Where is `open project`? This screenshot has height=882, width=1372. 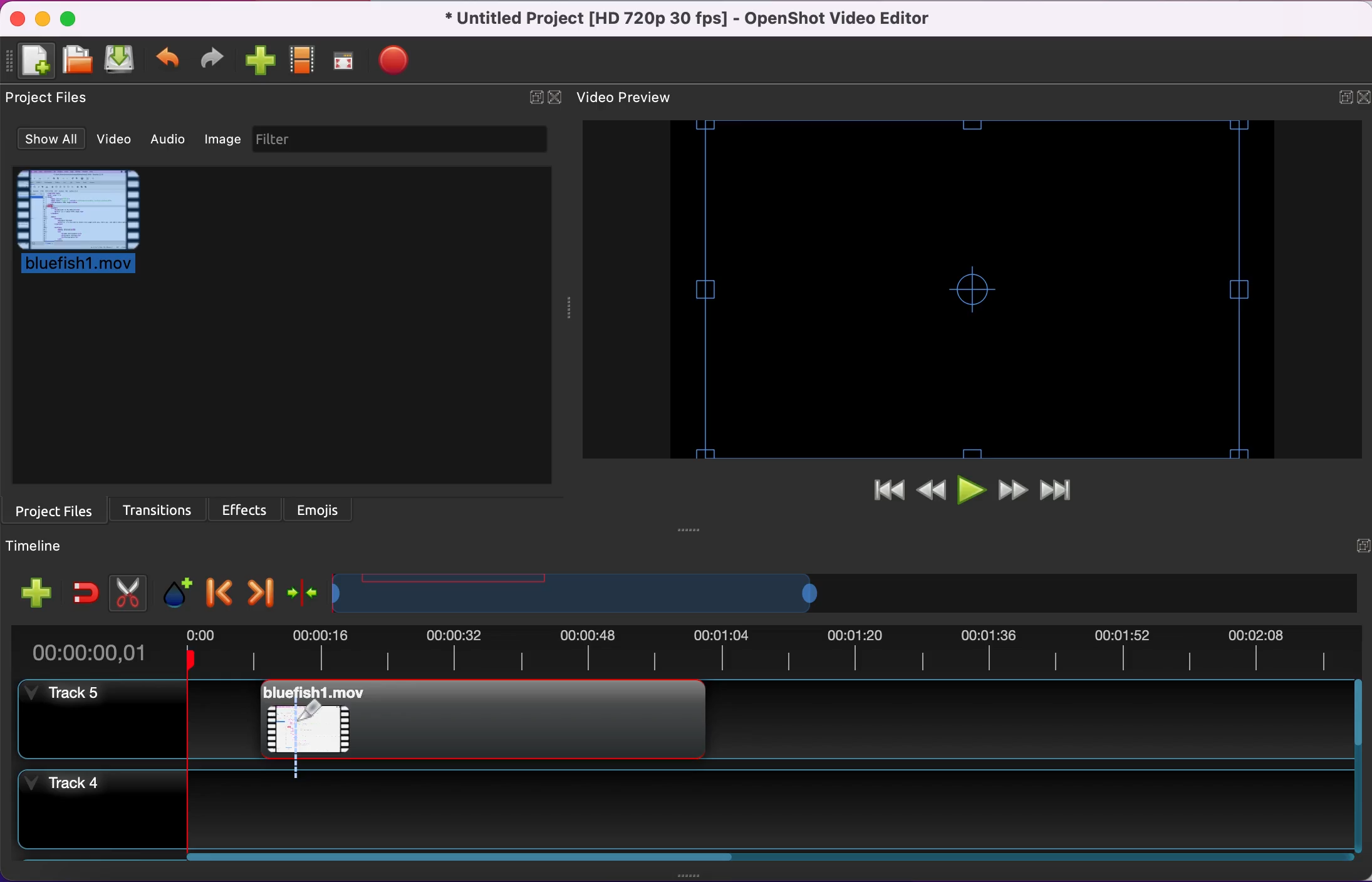
open project is located at coordinates (79, 61).